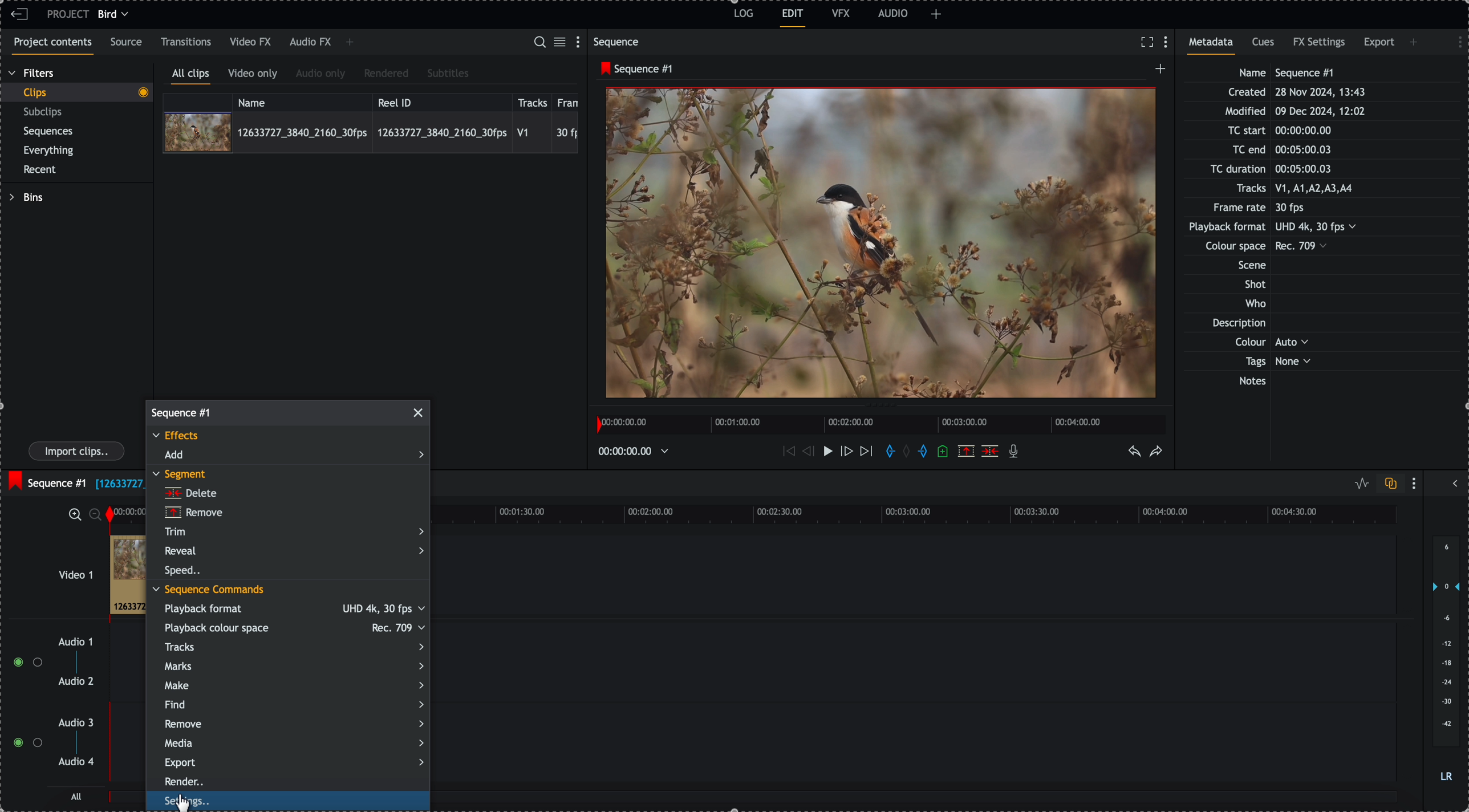 Image resolution: width=1469 pixels, height=812 pixels. What do you see at coordinates (23, 703) in the screenshot?
I see `enable tracks` at bounding box center [23, 703].